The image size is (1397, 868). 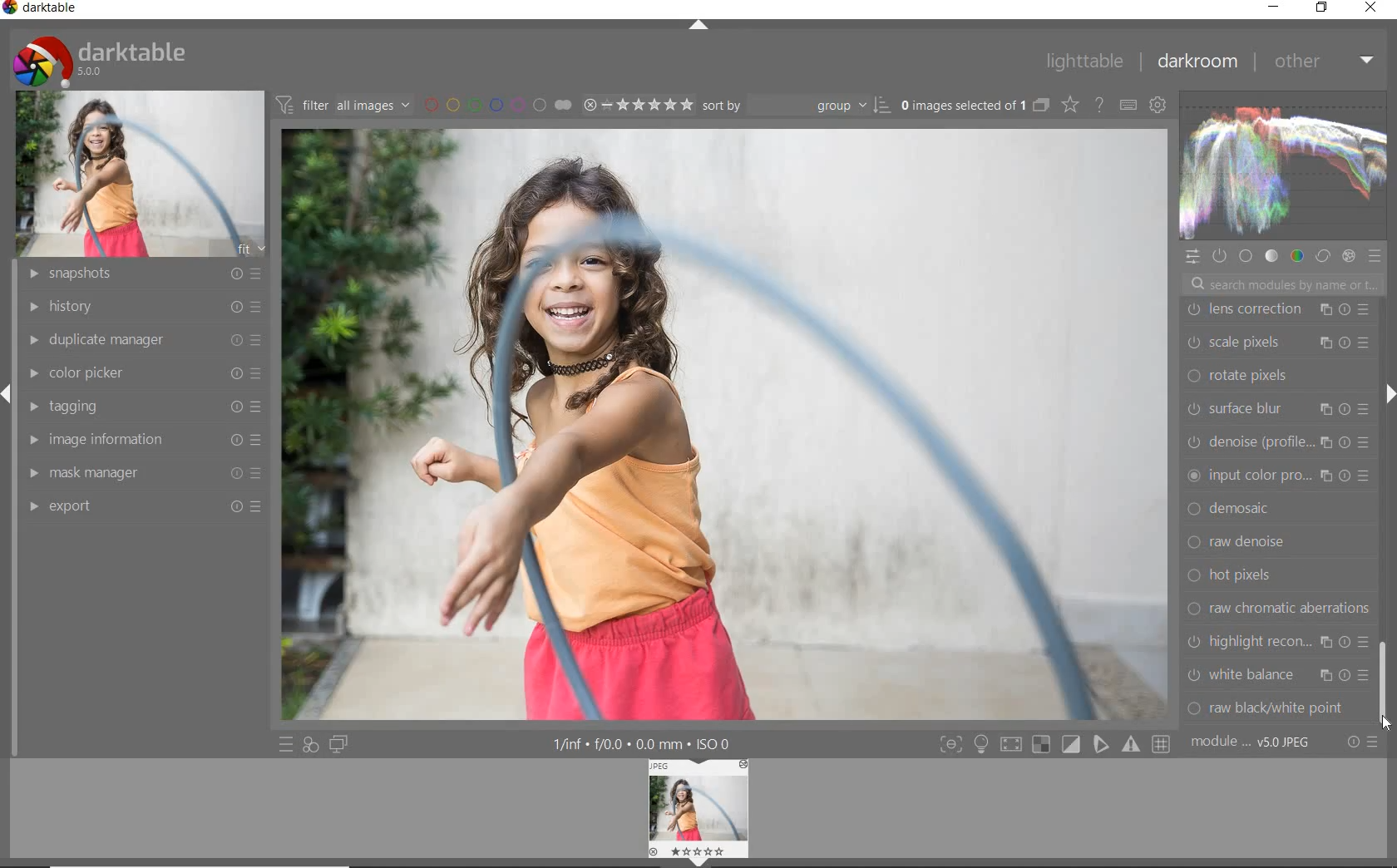 What do you see at coordinates (1277, 343) in the screenshot?
I see `framing` at bounding box center [1277, 343].